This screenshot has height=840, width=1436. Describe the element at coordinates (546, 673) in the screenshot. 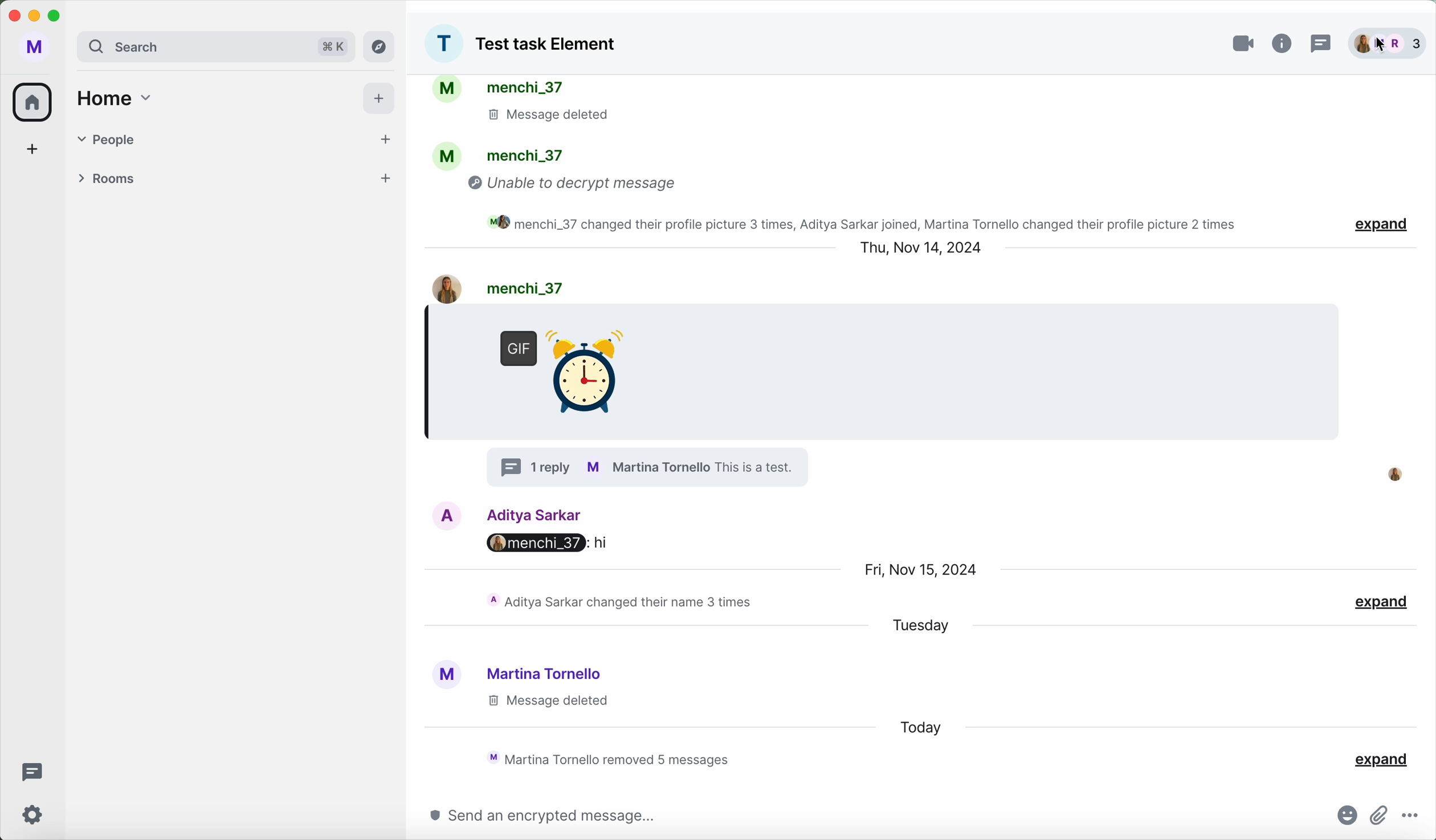

I see `Martina user` at that location.